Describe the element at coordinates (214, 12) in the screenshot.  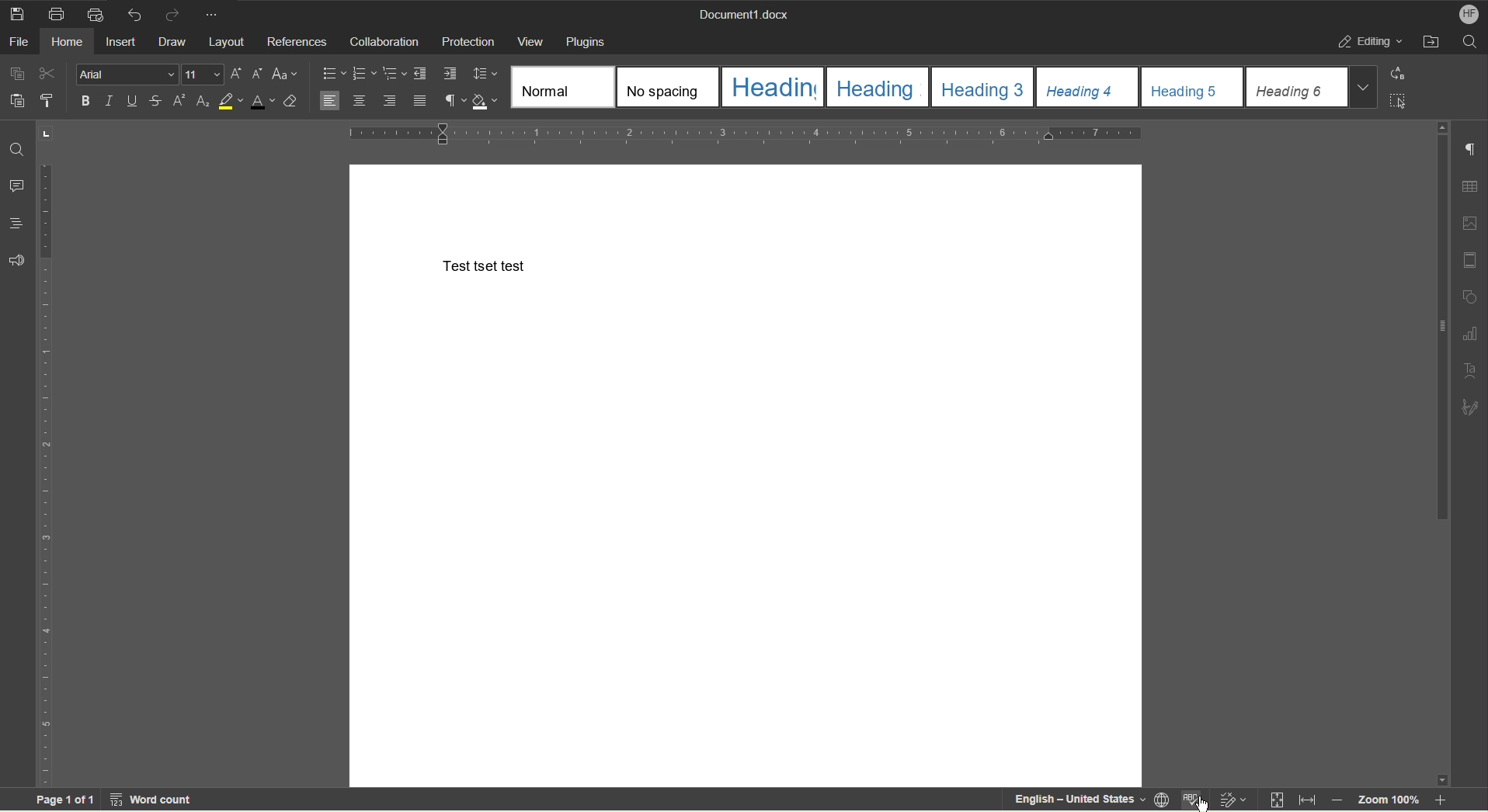
I see `More` at that location.